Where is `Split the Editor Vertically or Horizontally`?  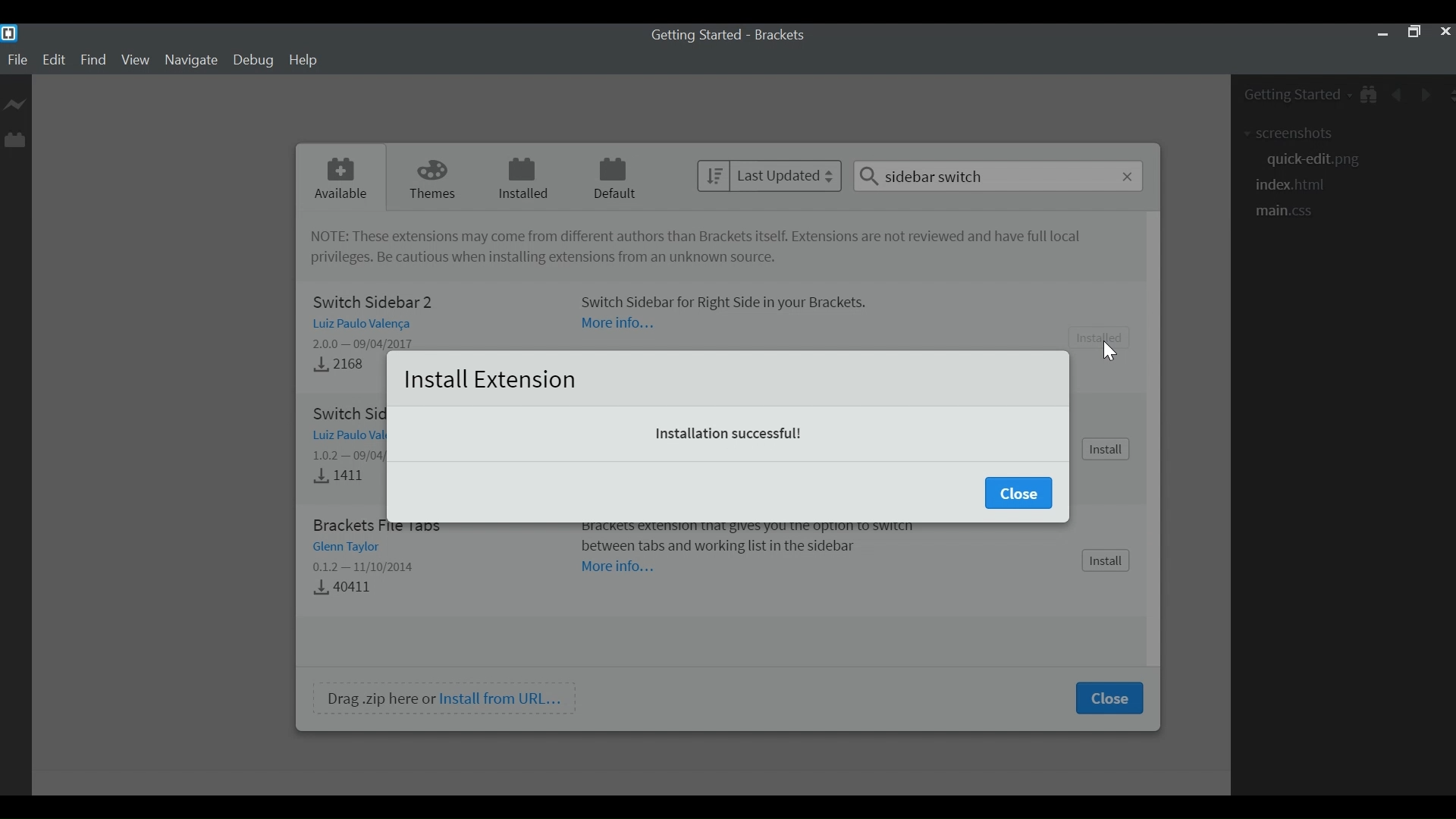
Split the Editor Vertically or Horizontally is located at coordinates (1447, 93).